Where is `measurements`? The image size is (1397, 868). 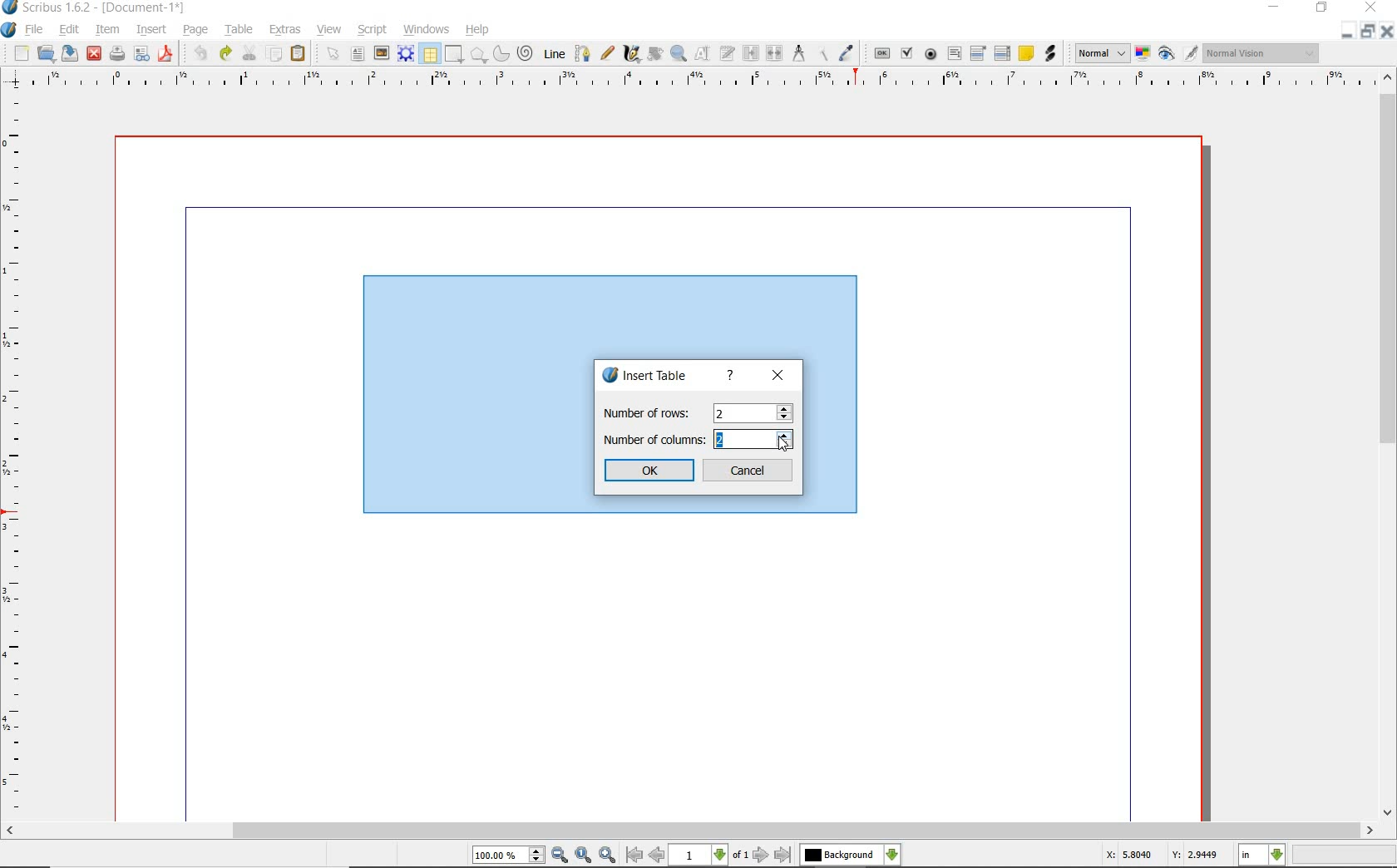 measurements is located at coordinates (799, 53).